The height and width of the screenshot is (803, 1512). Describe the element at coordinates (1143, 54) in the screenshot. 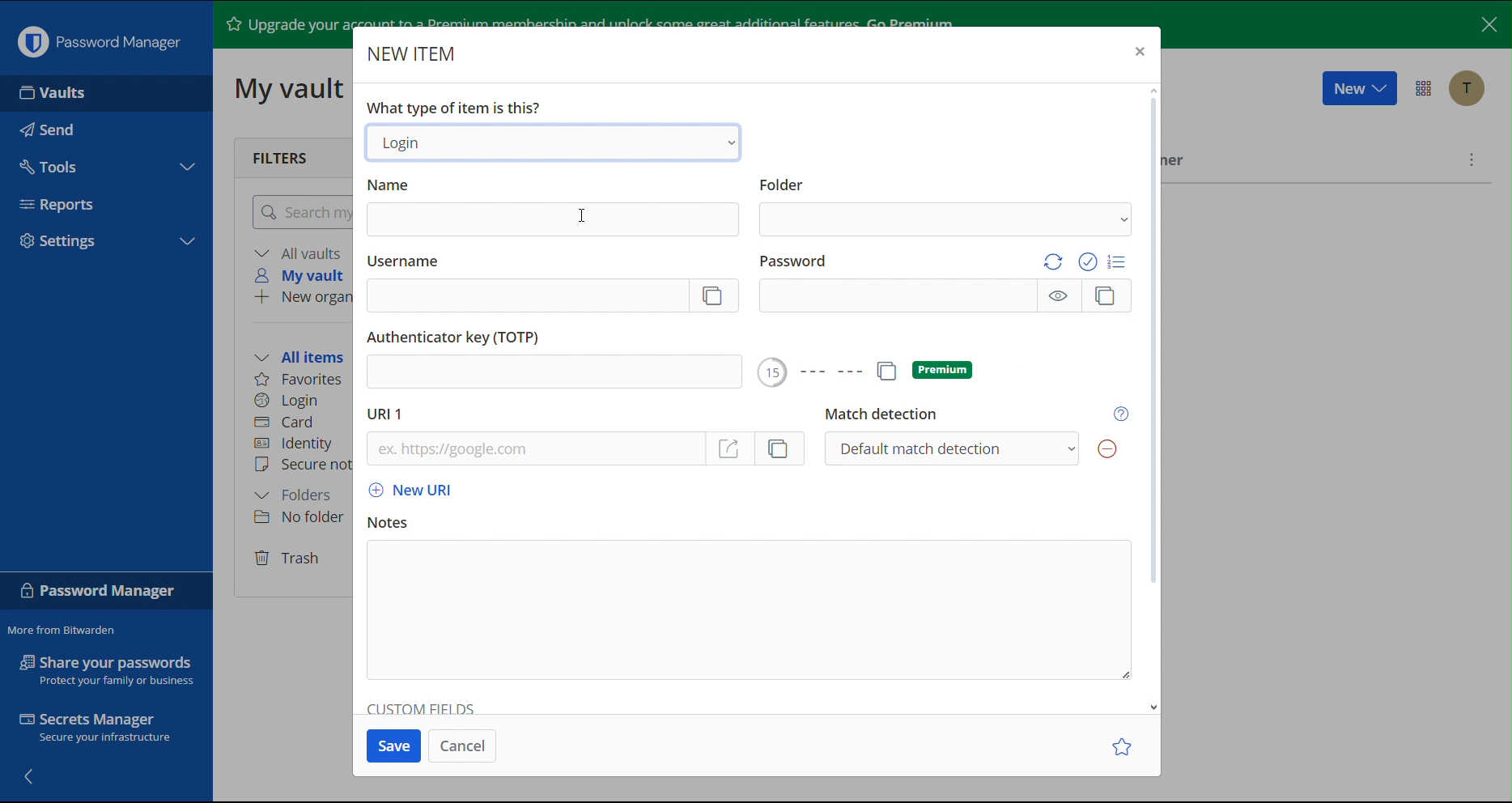

I see `Close` at that location.